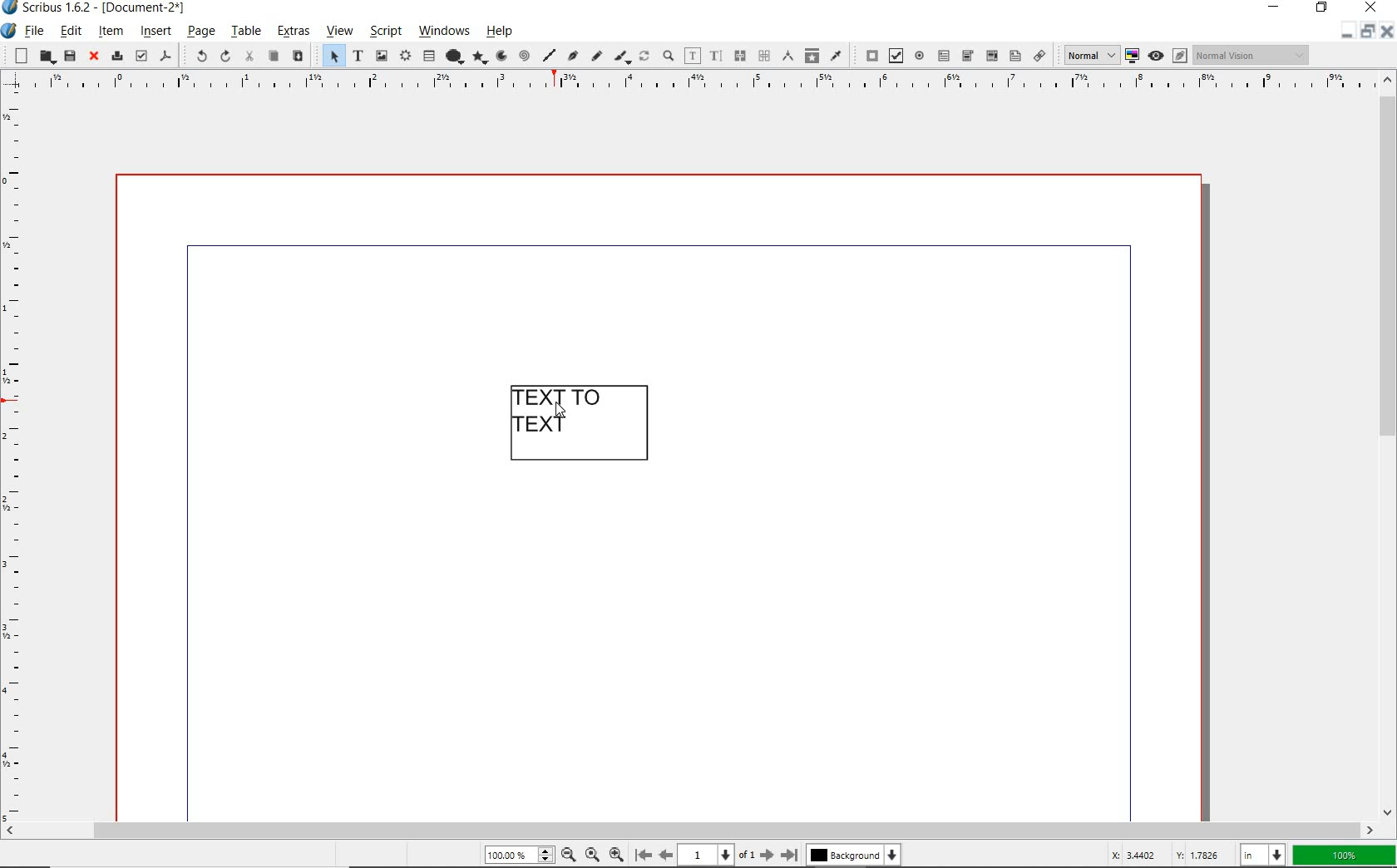  I want to click on move to previous, so click(665, 856).